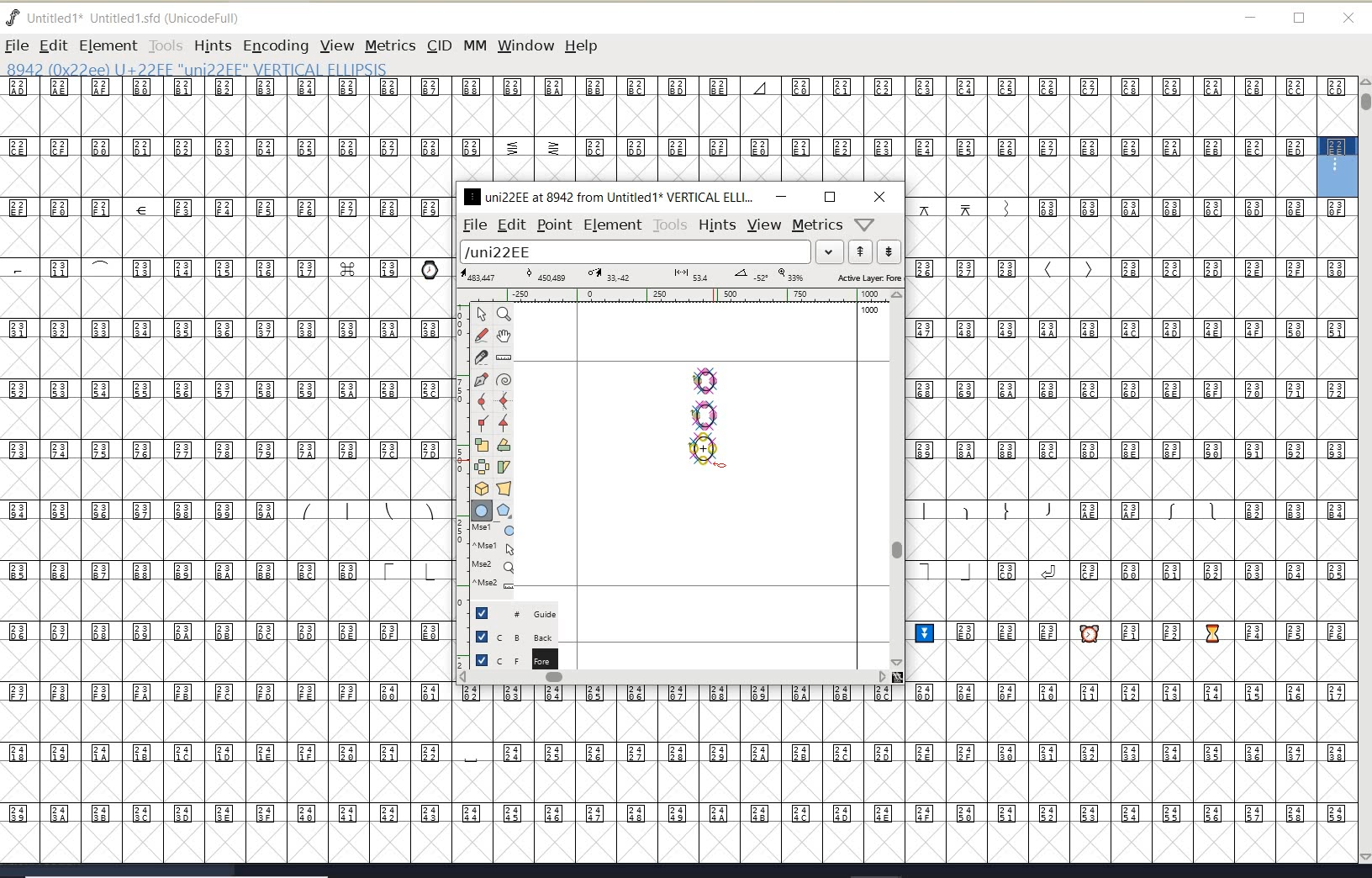 The image size is (1372, 878). Describe the element at coordinates (613, 225) in the screenshot. I see `element` at that location.